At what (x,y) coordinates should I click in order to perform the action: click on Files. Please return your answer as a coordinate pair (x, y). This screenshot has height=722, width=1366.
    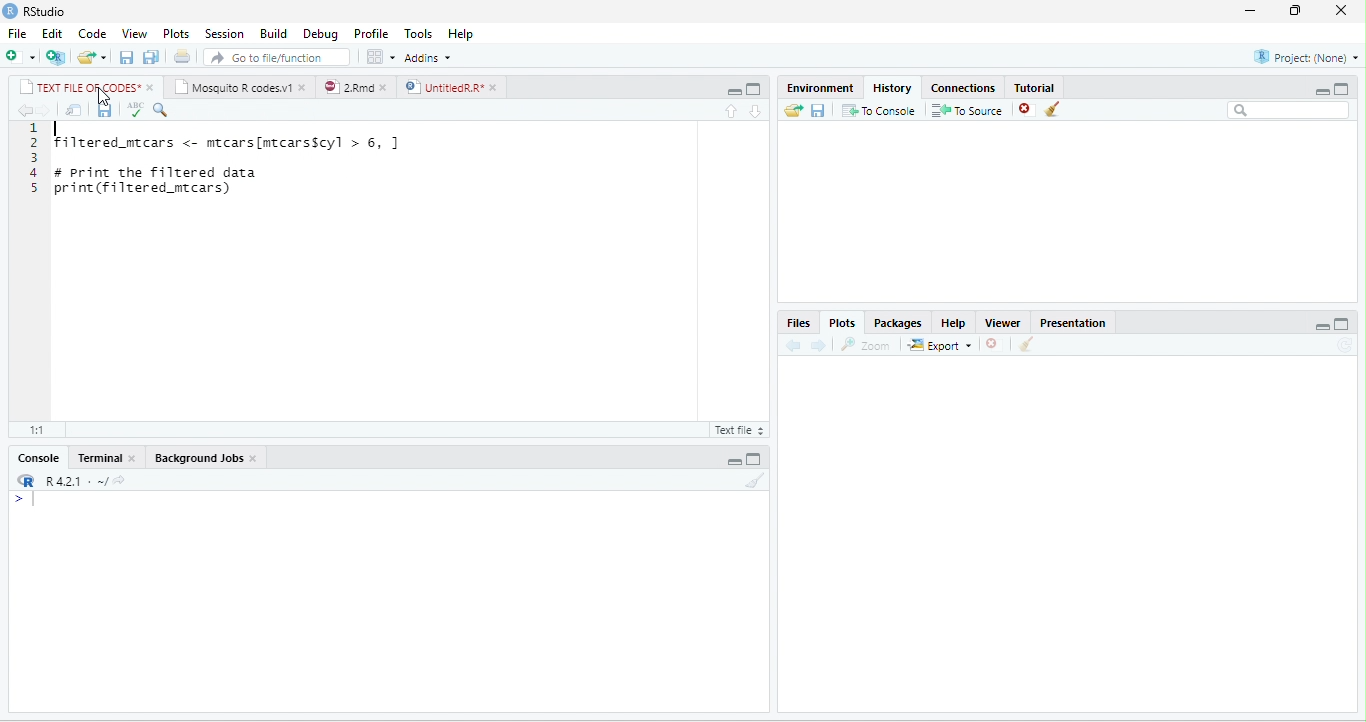
    Looking at the image, I should click on (798, 323).